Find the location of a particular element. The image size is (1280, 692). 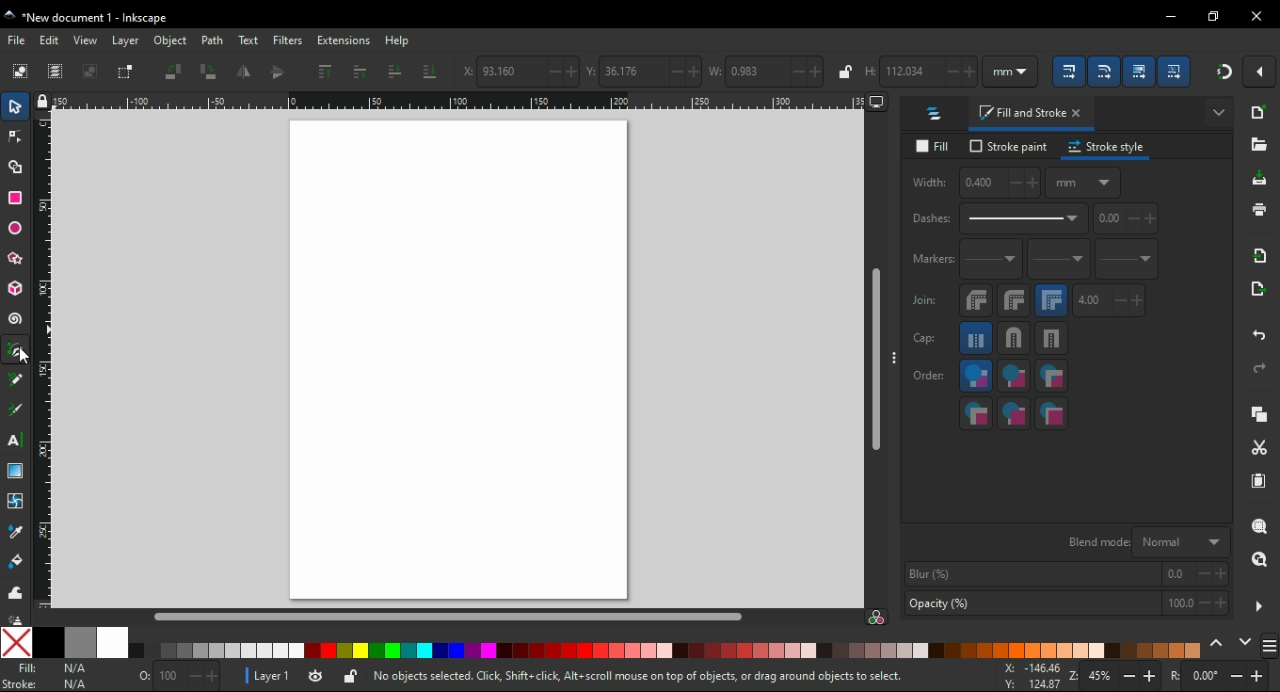

previous is located at coordinates (1219, 644).